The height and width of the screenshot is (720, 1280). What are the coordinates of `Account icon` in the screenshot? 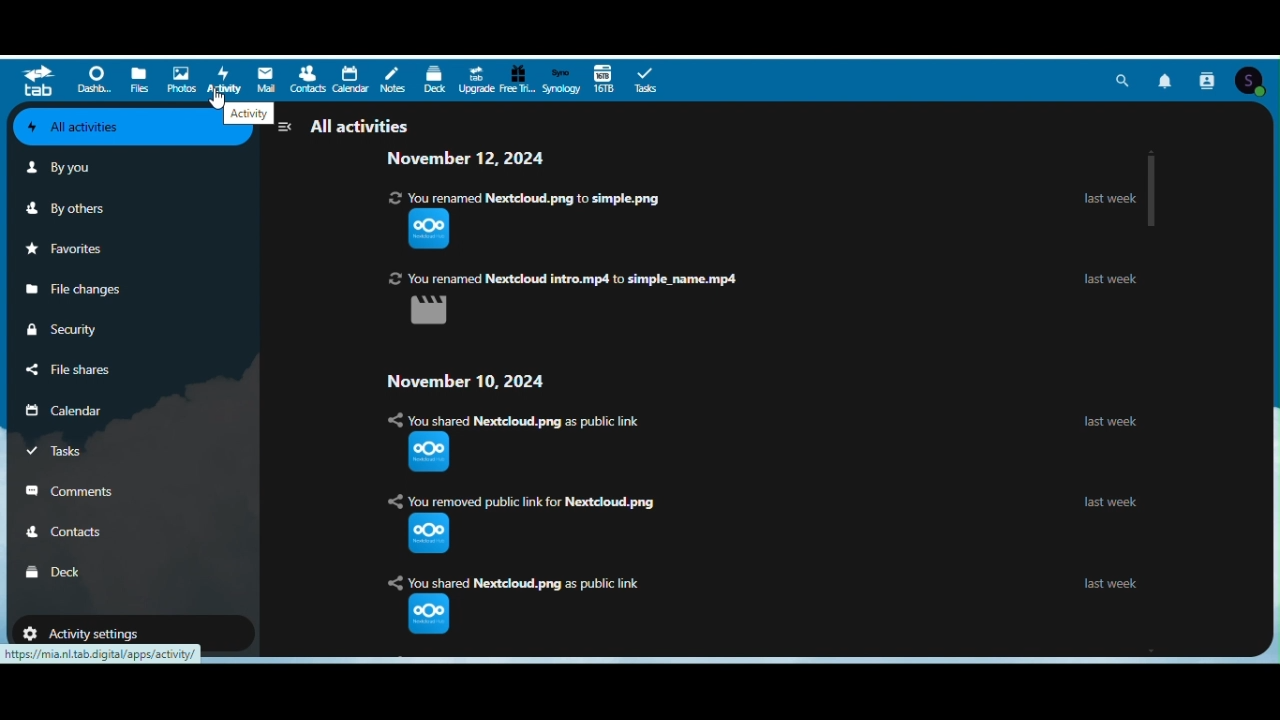 It's located at (1252, 80).